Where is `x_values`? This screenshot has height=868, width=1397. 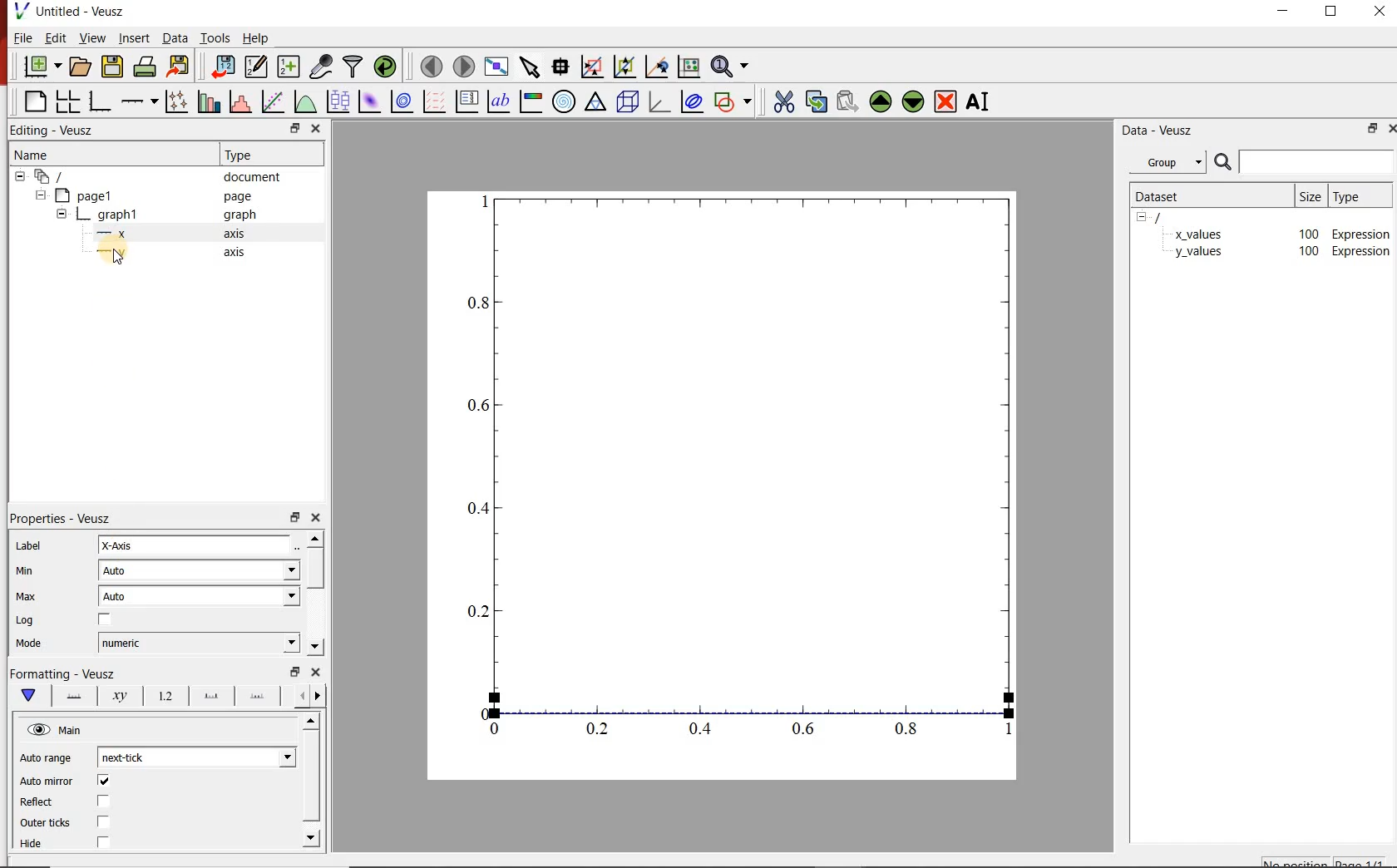 x_values is located at coordinates (1198, 233).